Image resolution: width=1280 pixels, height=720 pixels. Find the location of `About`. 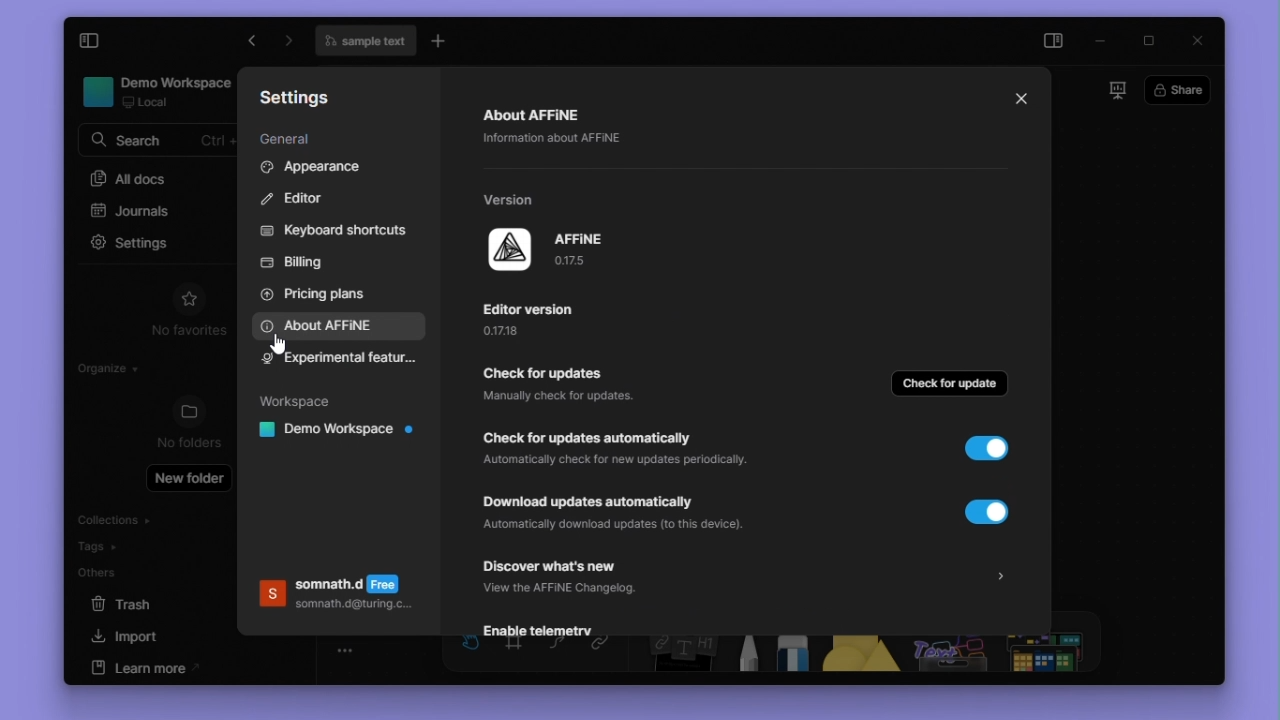

About is located at coordinates (338, 326).